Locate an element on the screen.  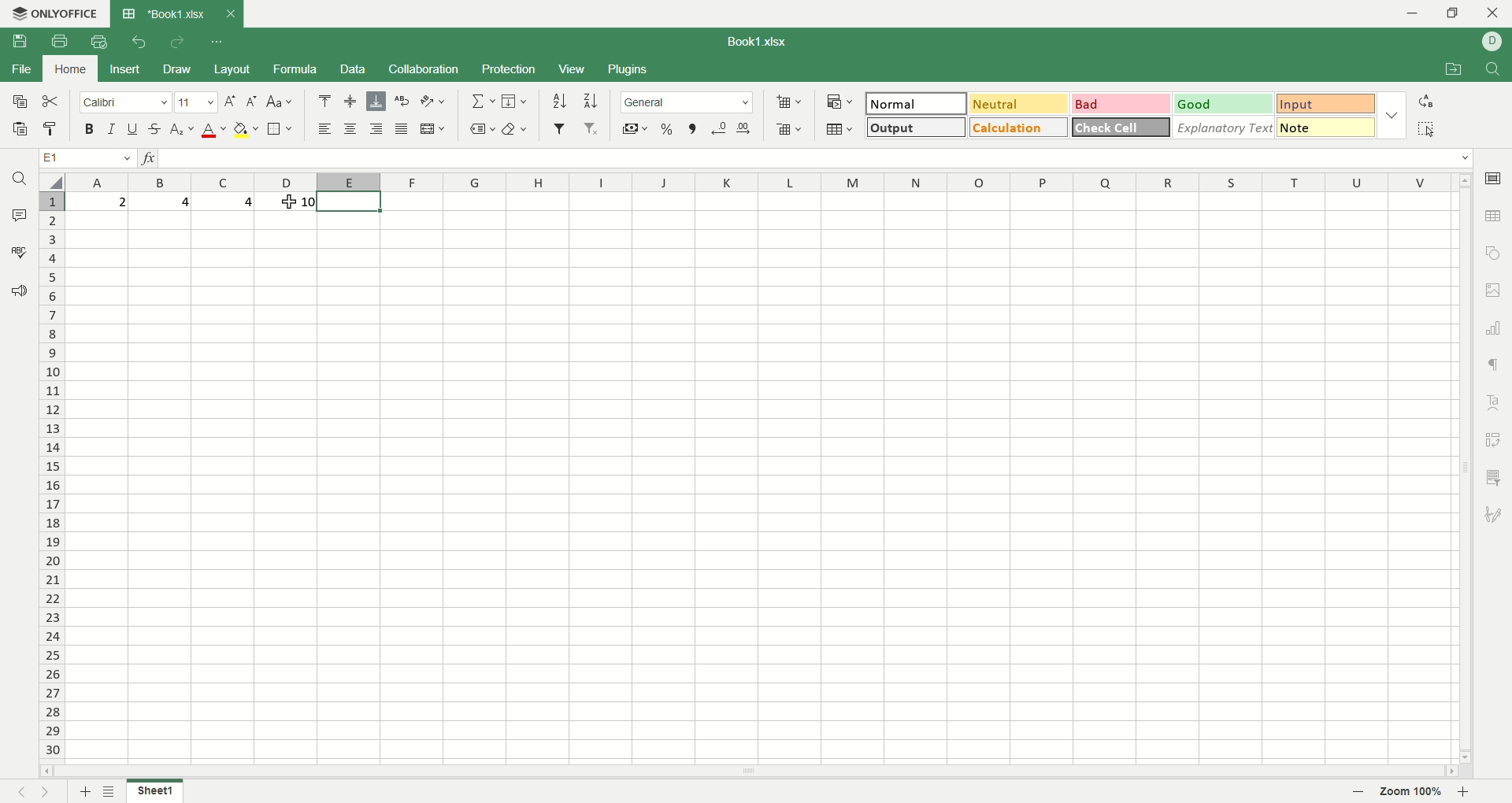
protection is located at coordinates (510, 71).